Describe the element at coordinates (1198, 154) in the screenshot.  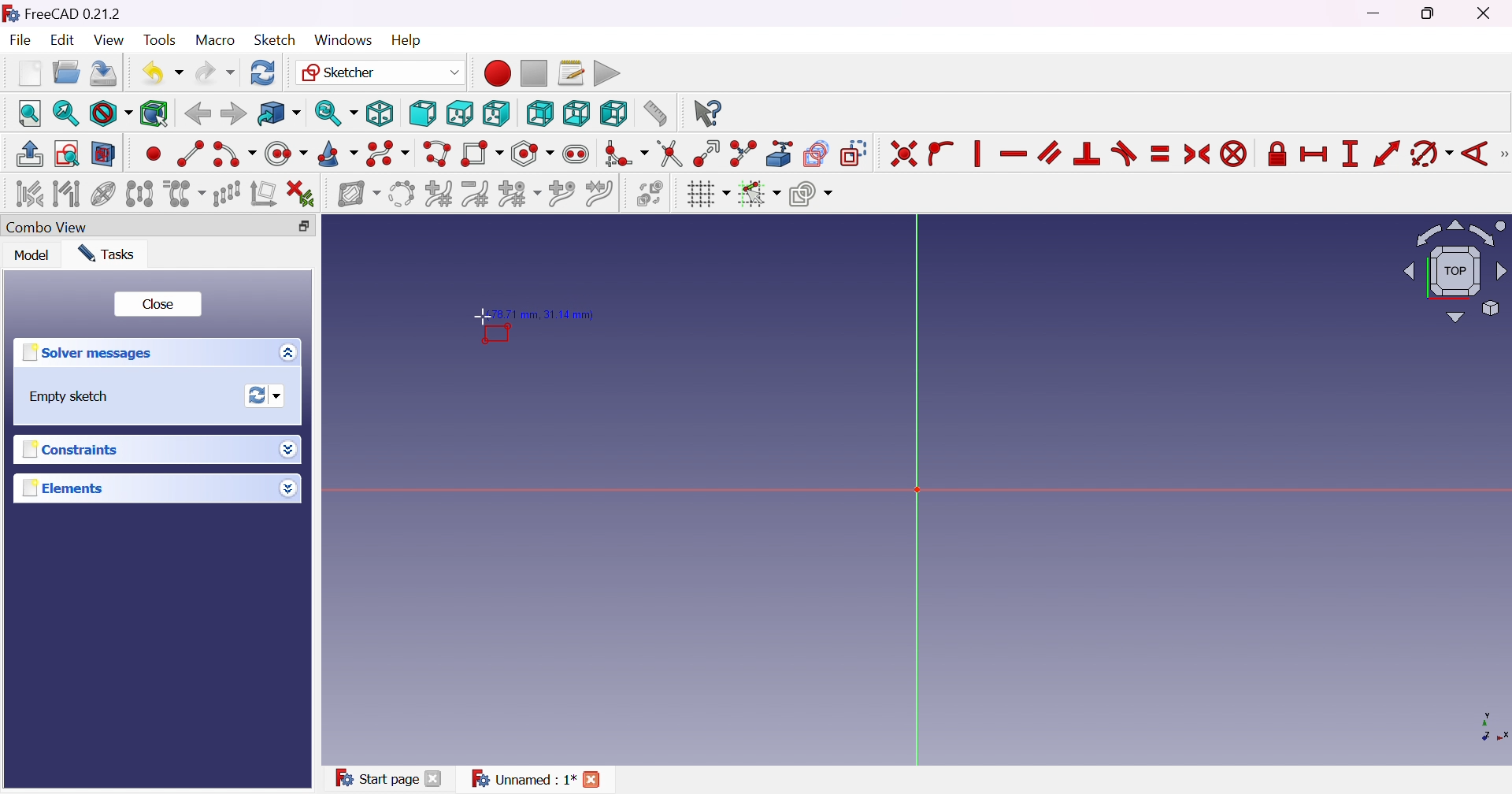
I see `Constrain symmertical` at that location.